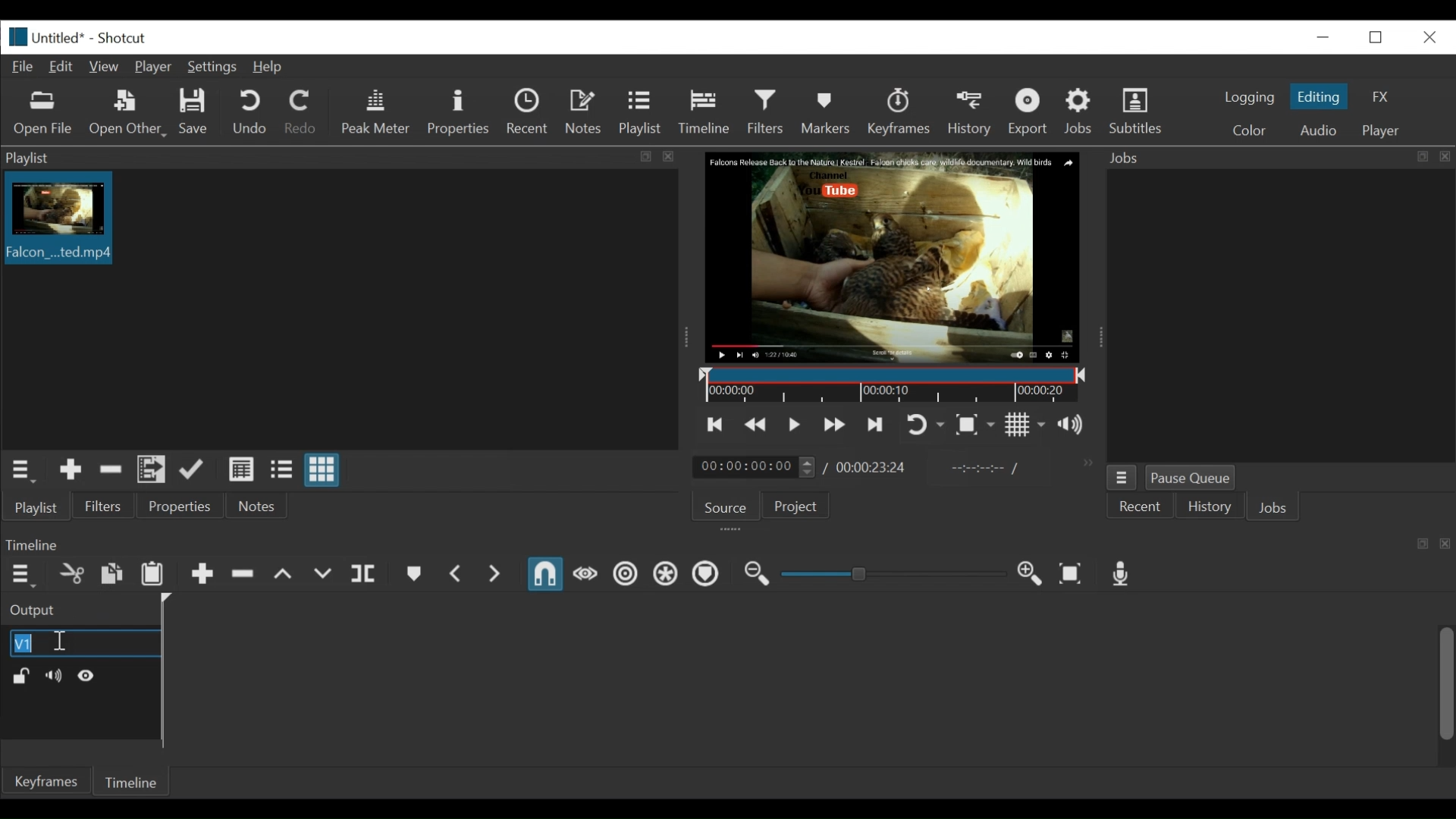 The width and height of the screenshot is (1456, 819). Describe the element at coordinates (588, 576) in the screenshot. I see `Scrub while dragging` at that location.